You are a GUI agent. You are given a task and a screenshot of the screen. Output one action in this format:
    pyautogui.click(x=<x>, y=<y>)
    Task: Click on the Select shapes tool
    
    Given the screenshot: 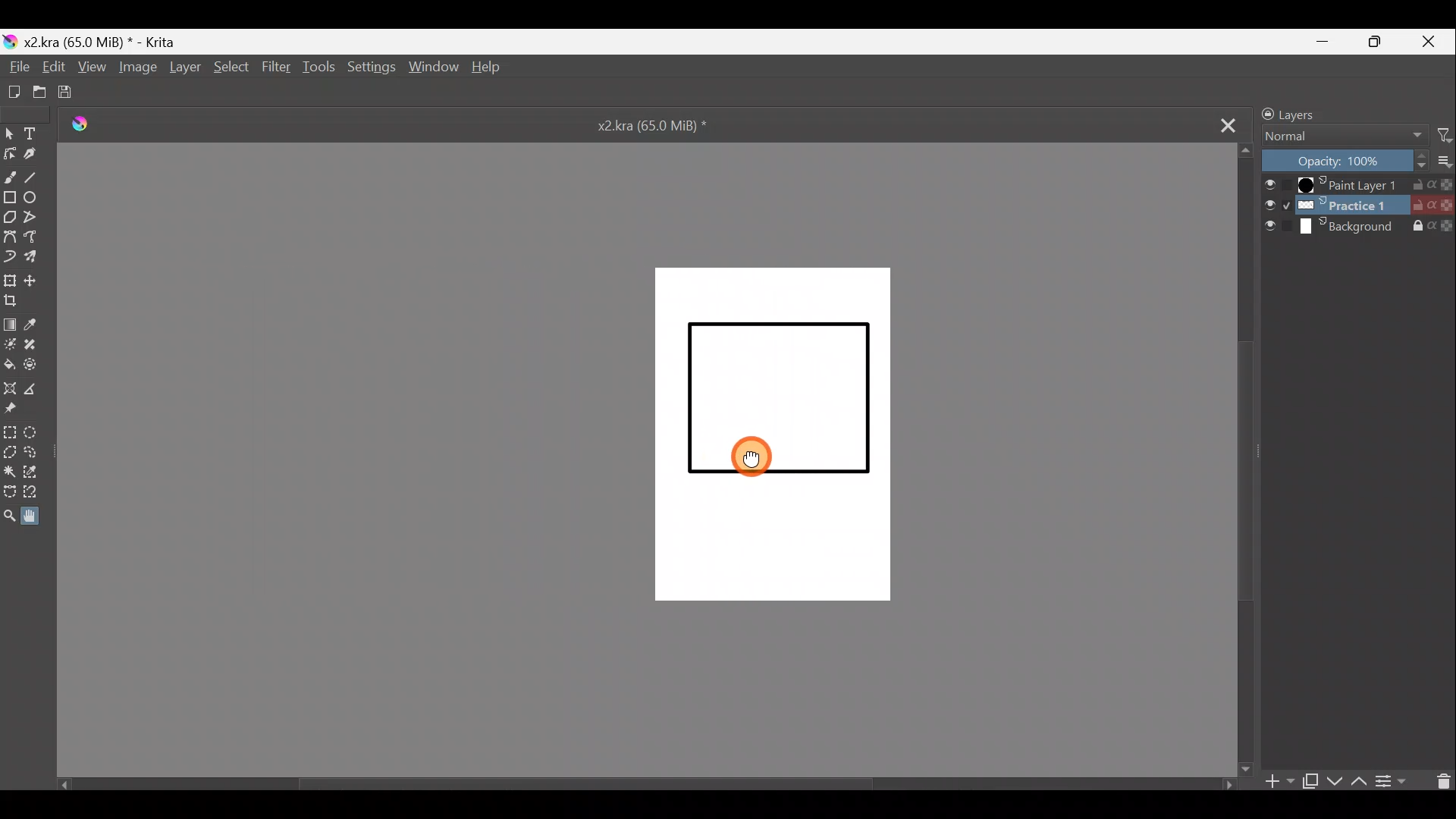 What is the action you would take?
    pyautogui.click(x=9, y=134)
    